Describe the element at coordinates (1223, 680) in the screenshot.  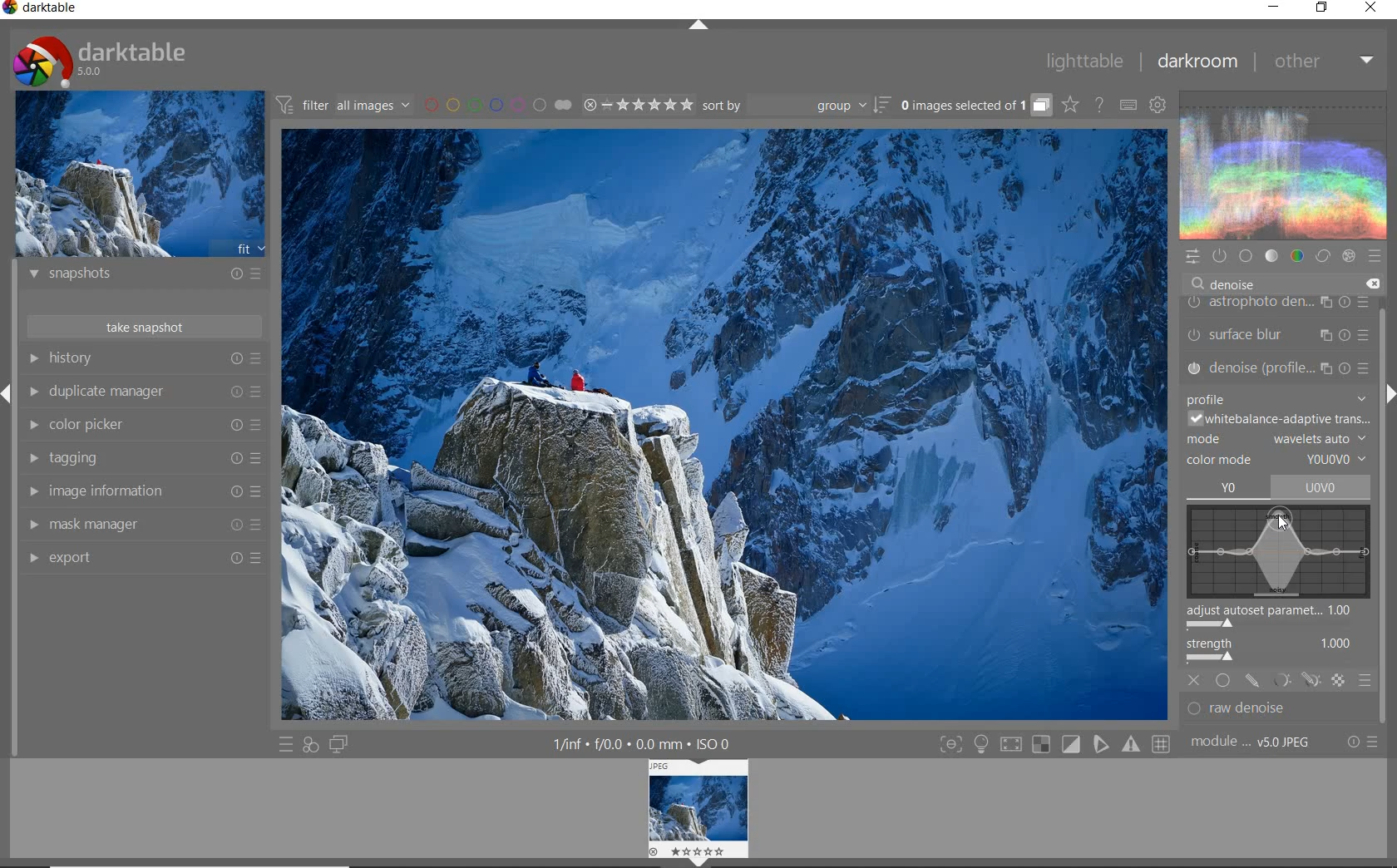
I see `UNIFORMLY` at that location.